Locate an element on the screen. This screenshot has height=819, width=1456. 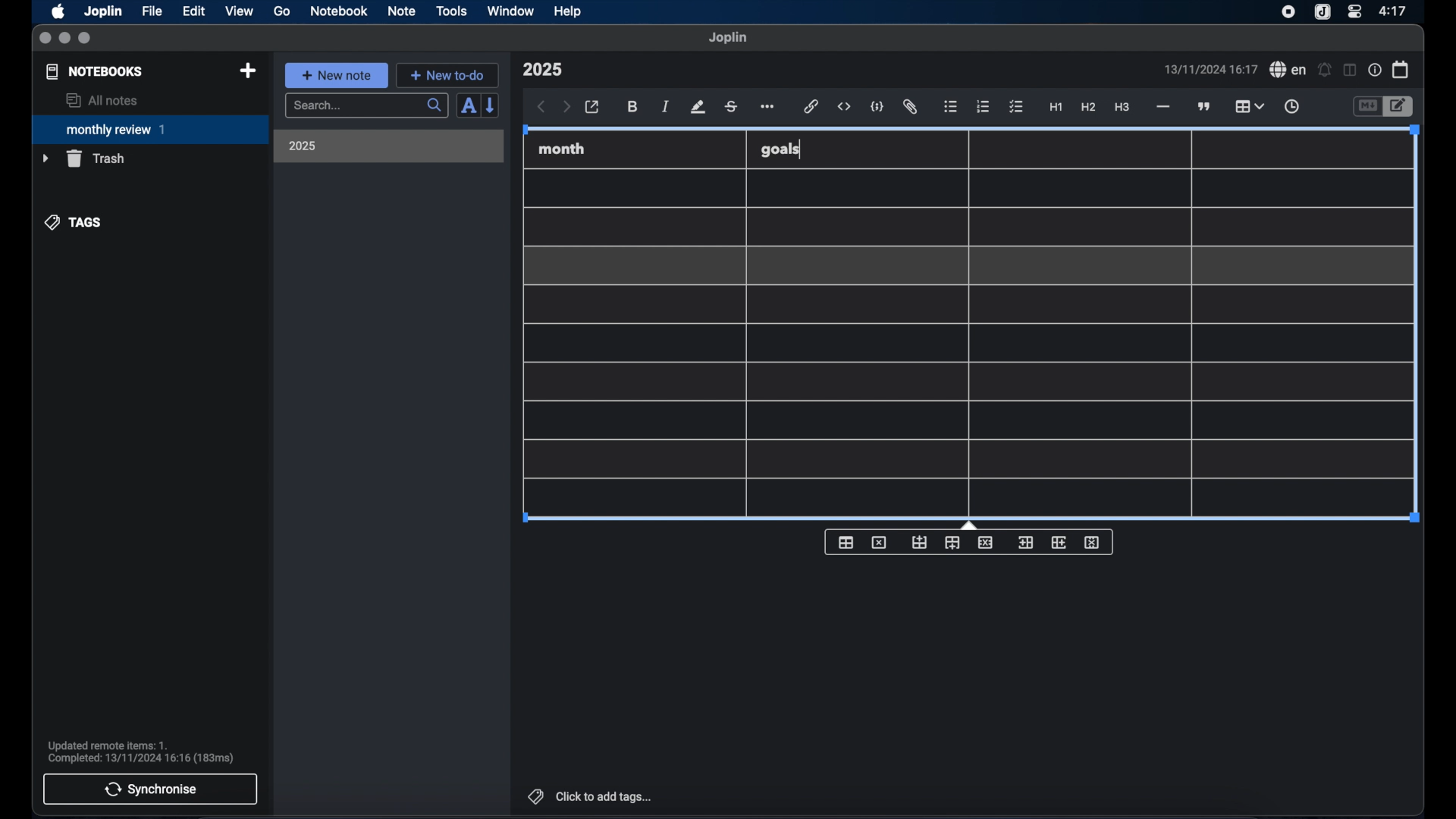
insert time is located at coordinates (1291, 107).